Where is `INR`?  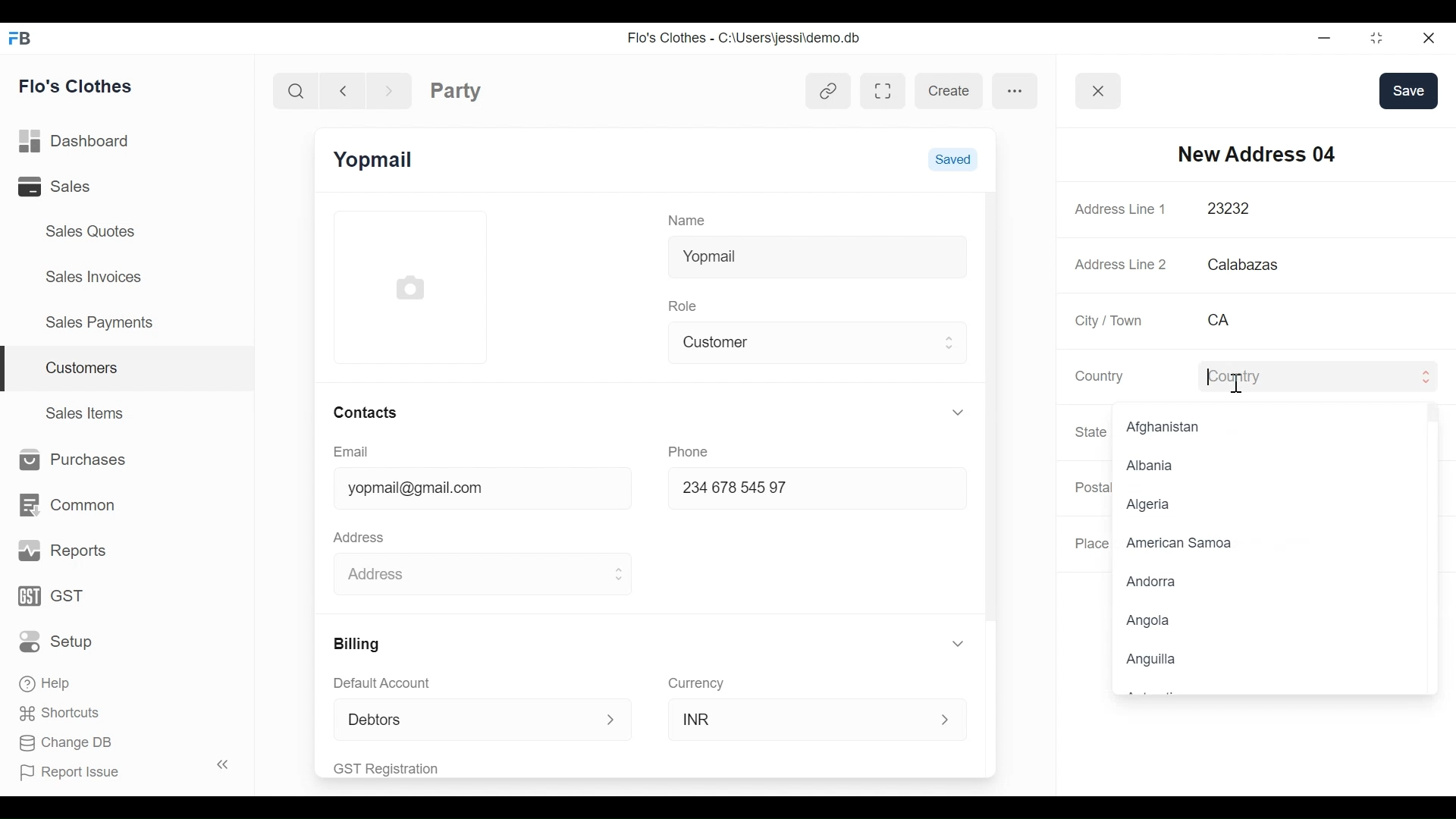
INR is located at coordinates (801, 718).